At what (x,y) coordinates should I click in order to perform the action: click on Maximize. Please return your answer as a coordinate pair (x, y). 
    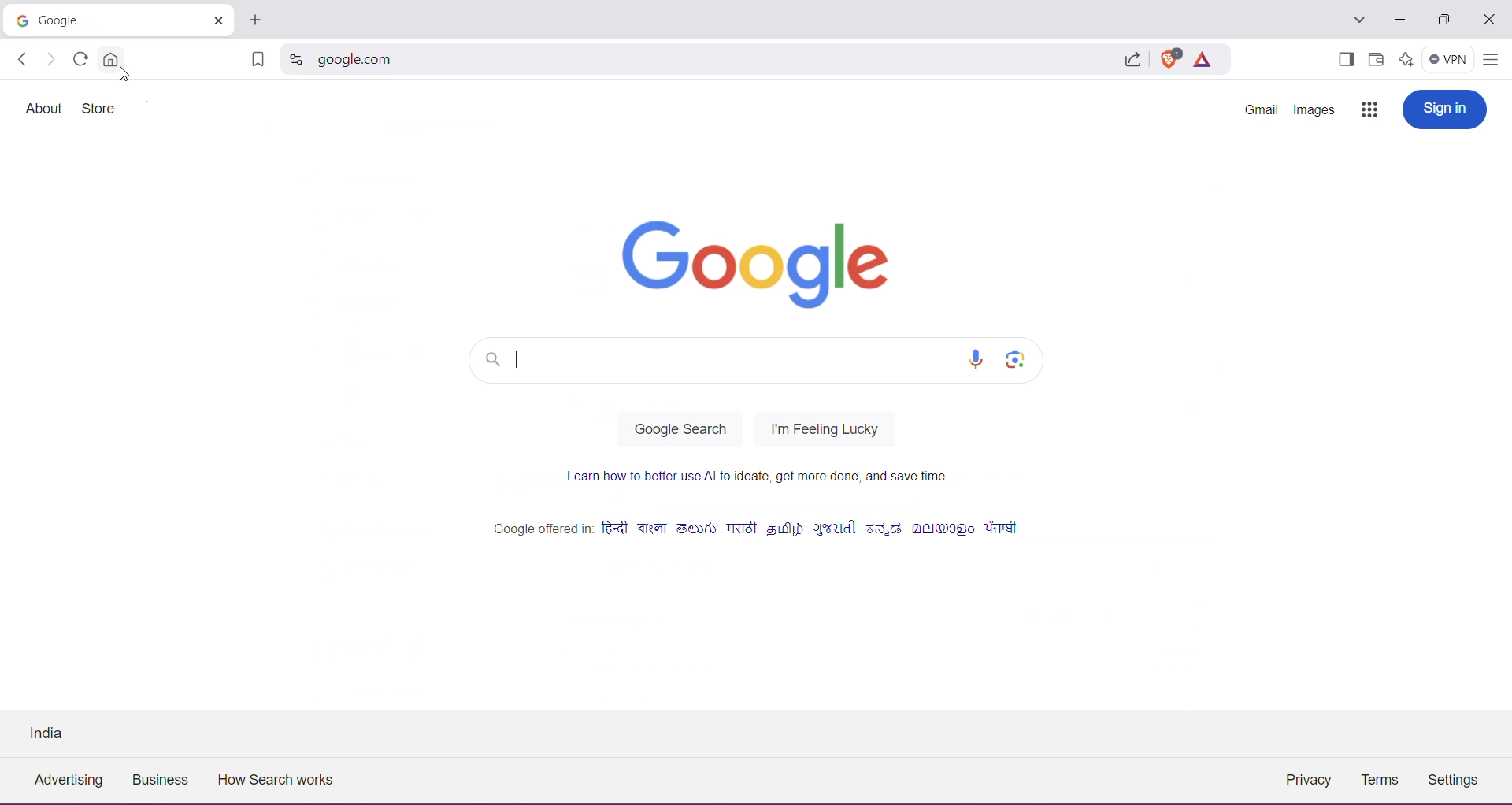
    Looking at the image, I should click on (1443, 21).